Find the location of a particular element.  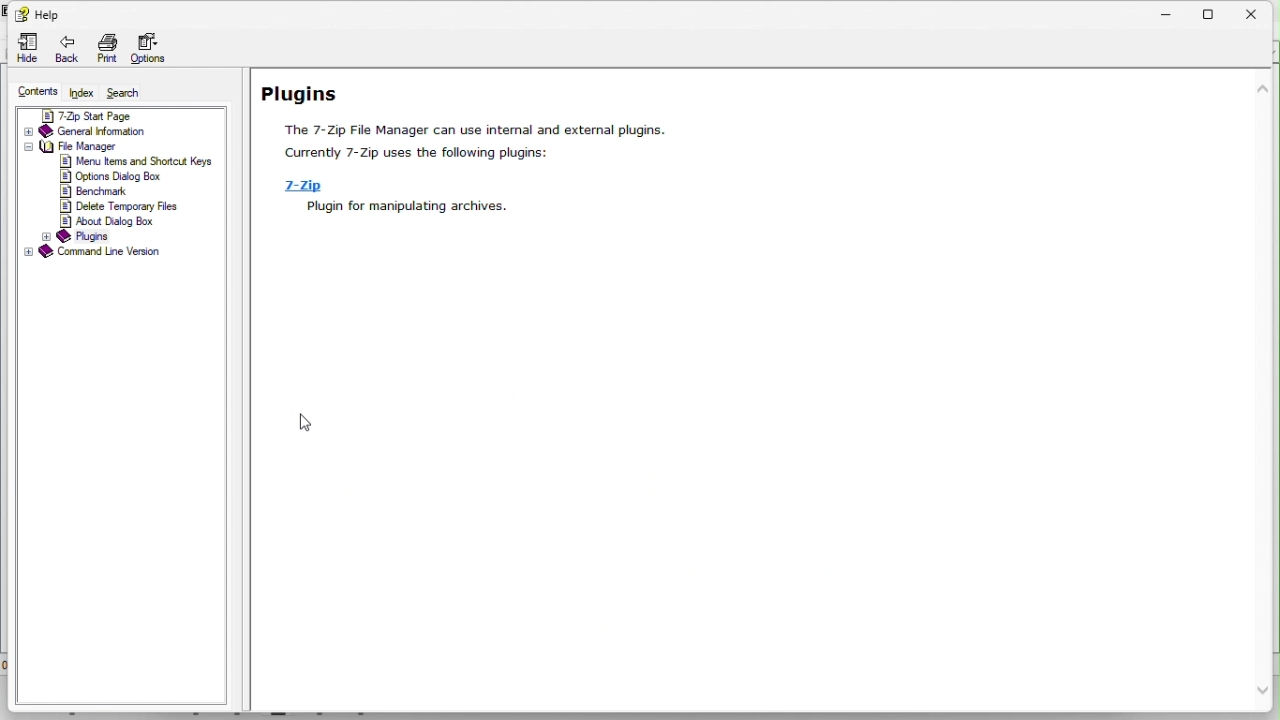

scroll down is located at coordinates (1263, 692).